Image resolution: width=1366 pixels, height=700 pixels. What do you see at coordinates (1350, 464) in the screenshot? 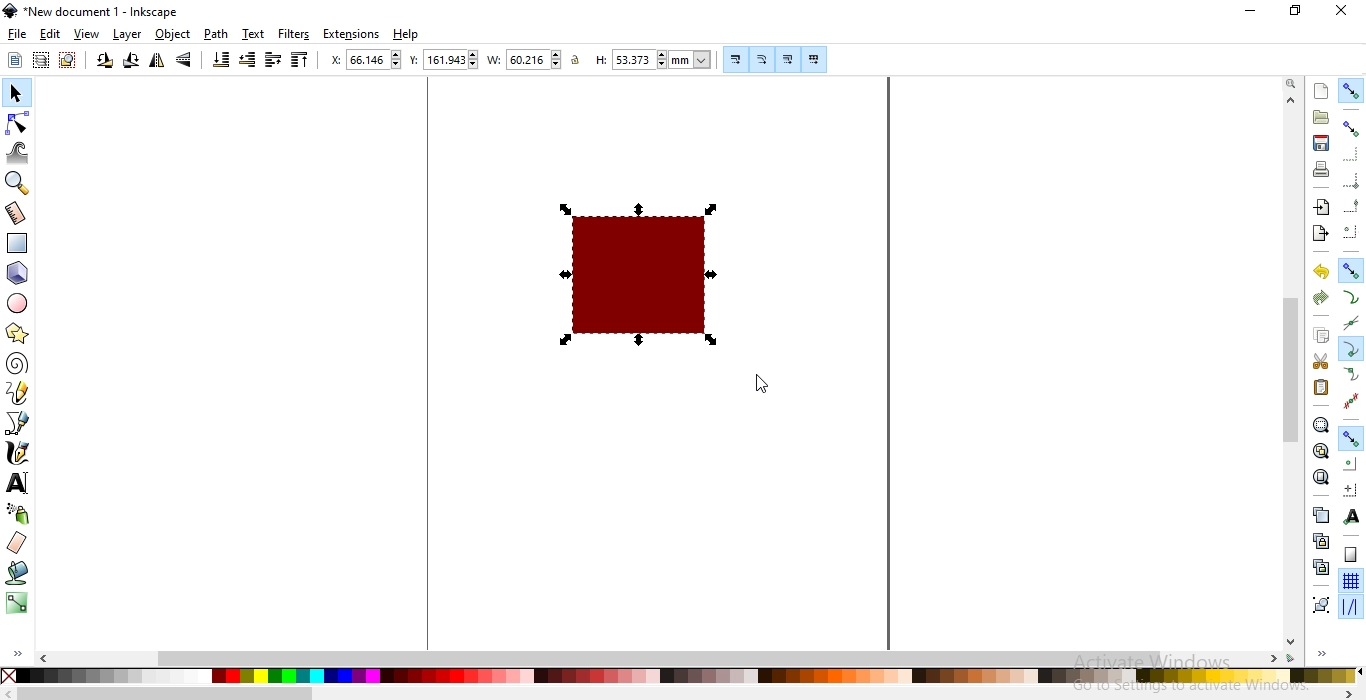
I see `snap centers to objects` at bounding box center [1350, 464].